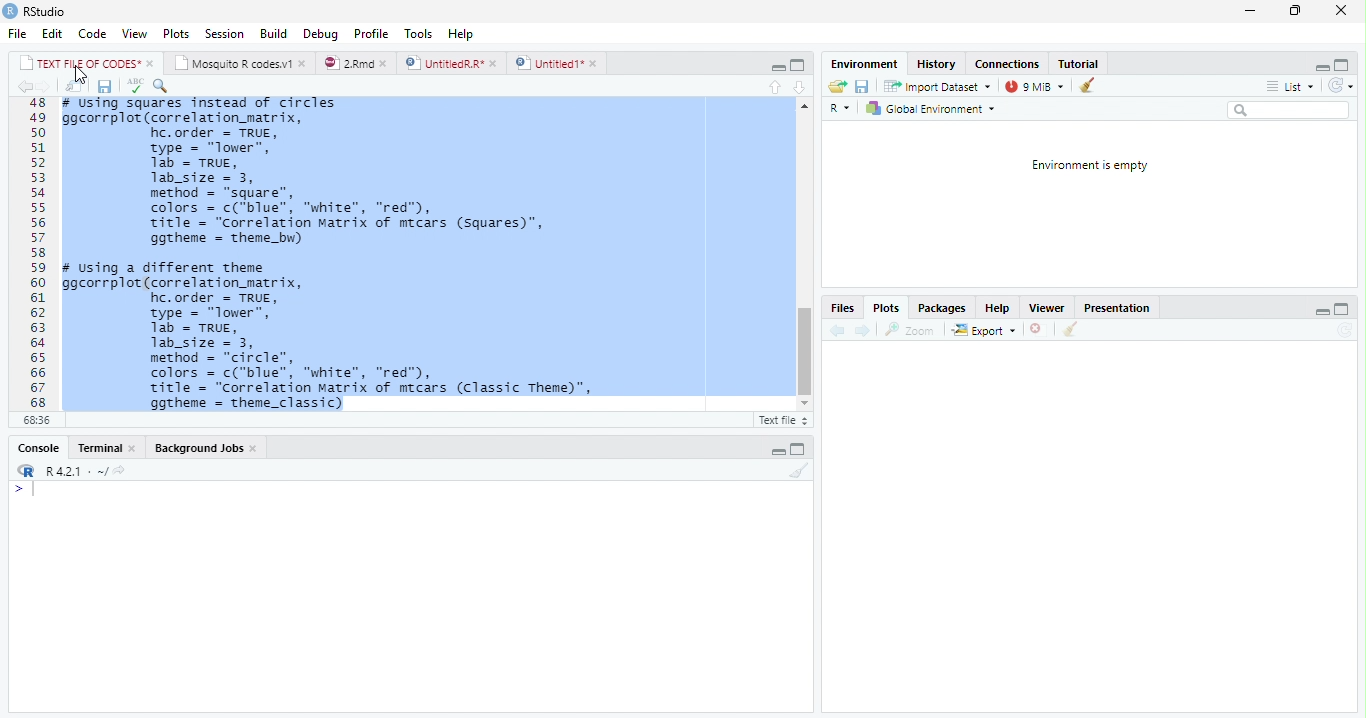  Describe the element at coordinates (1346, 65) in the screenshot. I see `hide console` at that location.